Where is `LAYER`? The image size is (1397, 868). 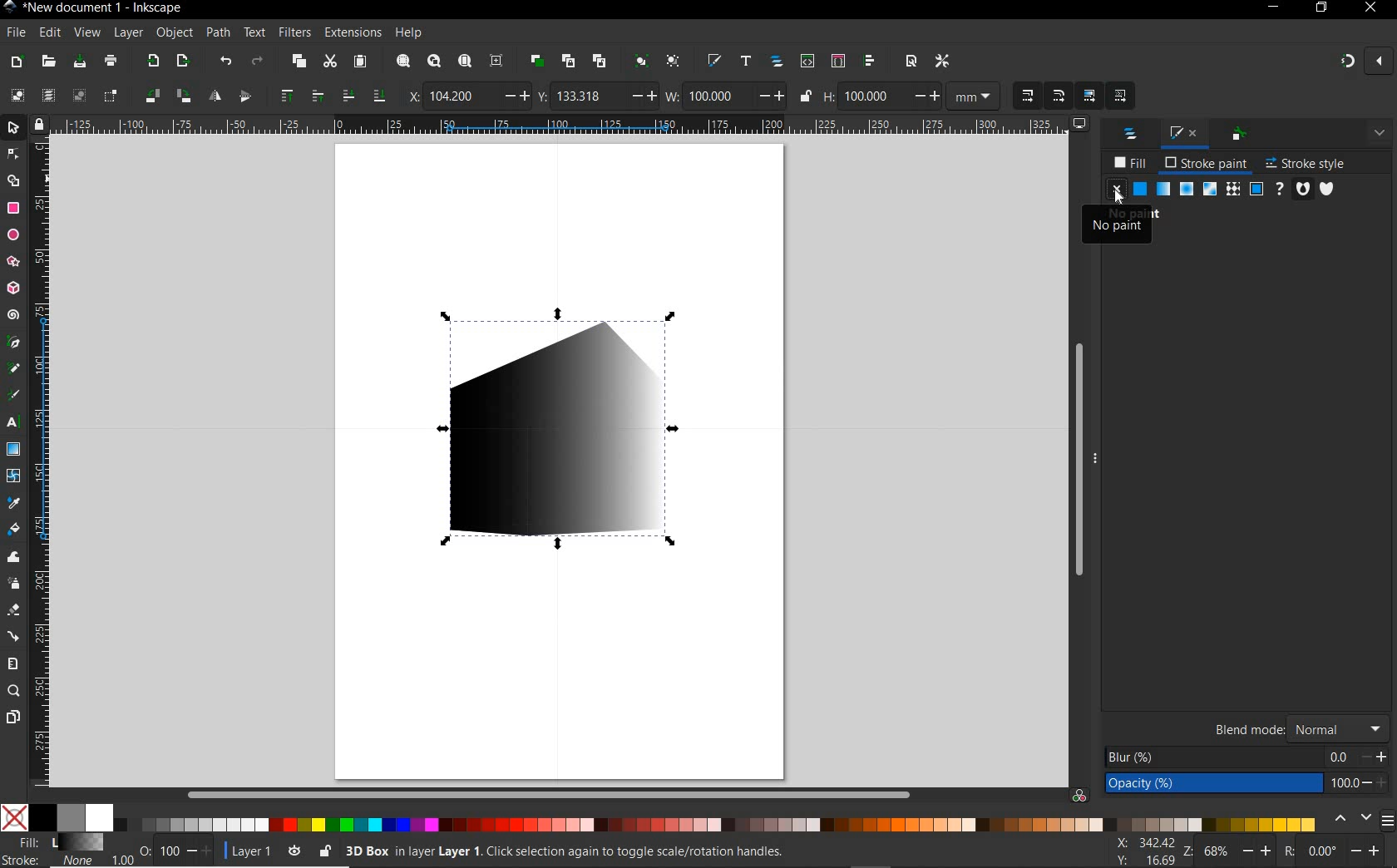 LAYER is located at coordinates (126, 32).